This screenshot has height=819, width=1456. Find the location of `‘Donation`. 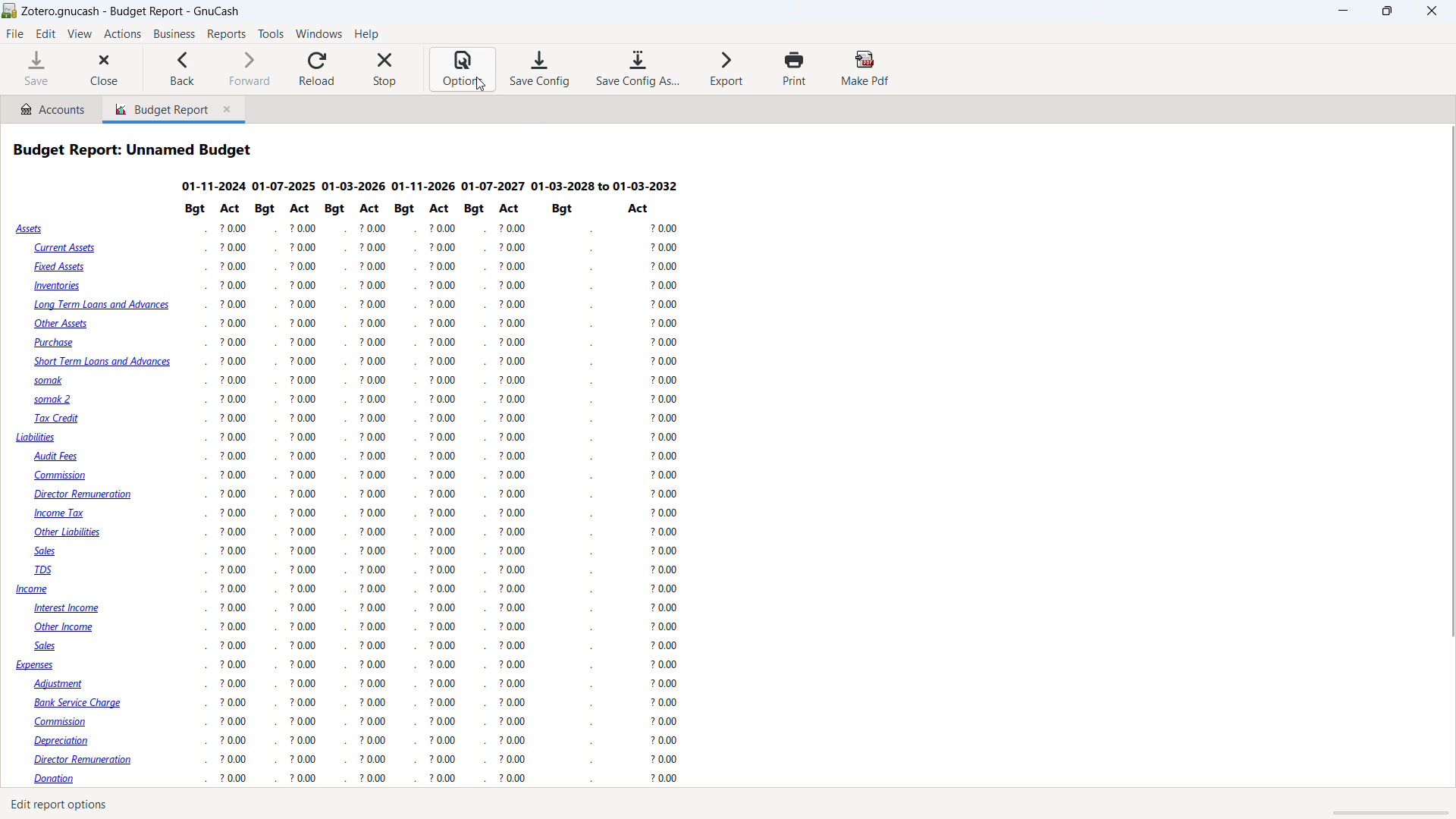

‘Donation is located at coordinates (65, 780).